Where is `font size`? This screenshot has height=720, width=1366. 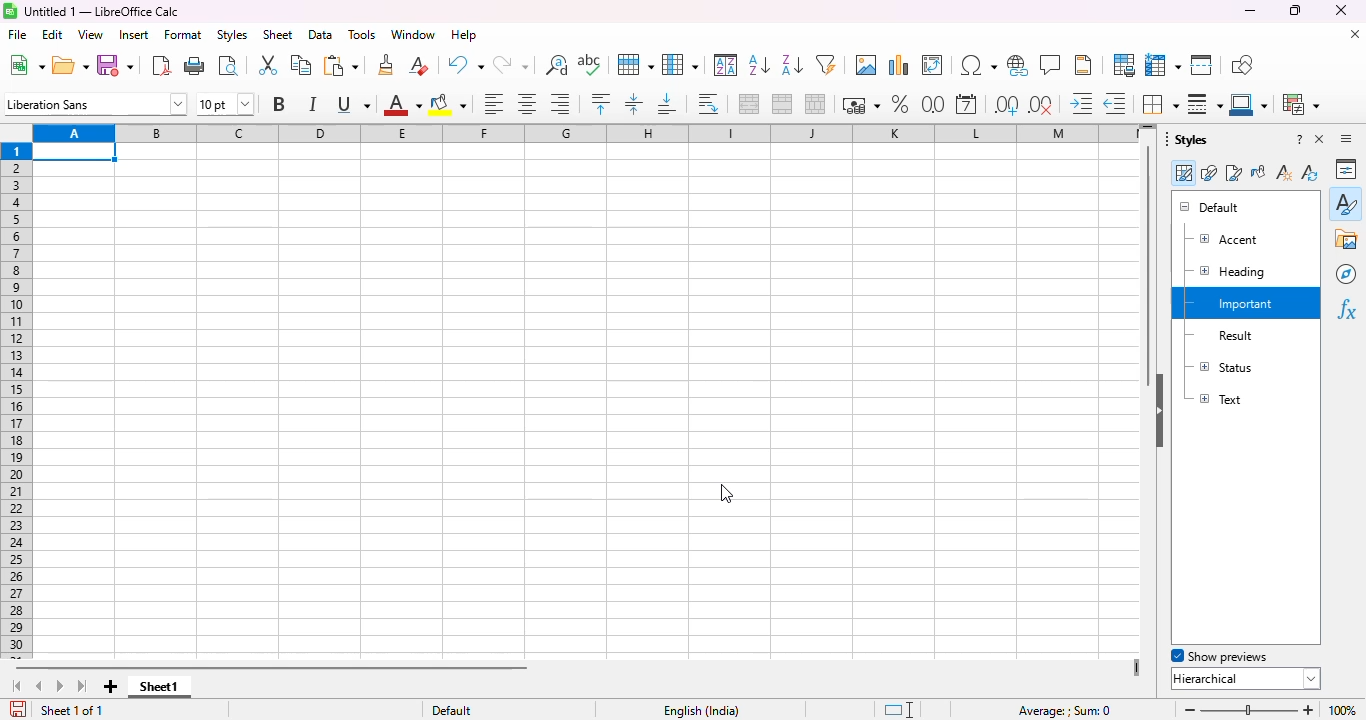 font size is located at coordinates (225, 104).